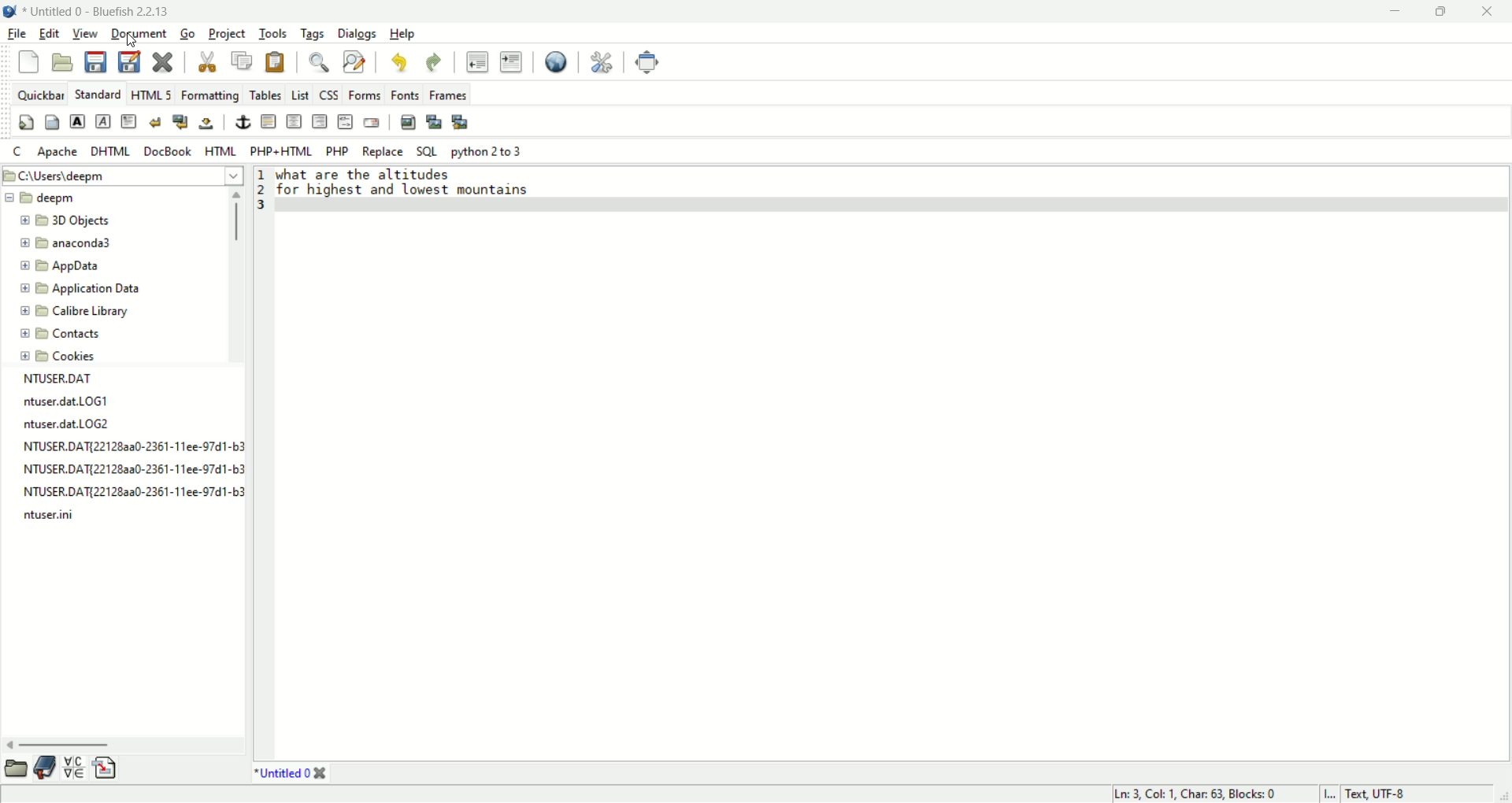 Image resolution: width=1512 pixels, height=803 pixels. What do you see at coordinates (285, 773) in the screenshot?
I see `title` at bounding box center [285, 773].